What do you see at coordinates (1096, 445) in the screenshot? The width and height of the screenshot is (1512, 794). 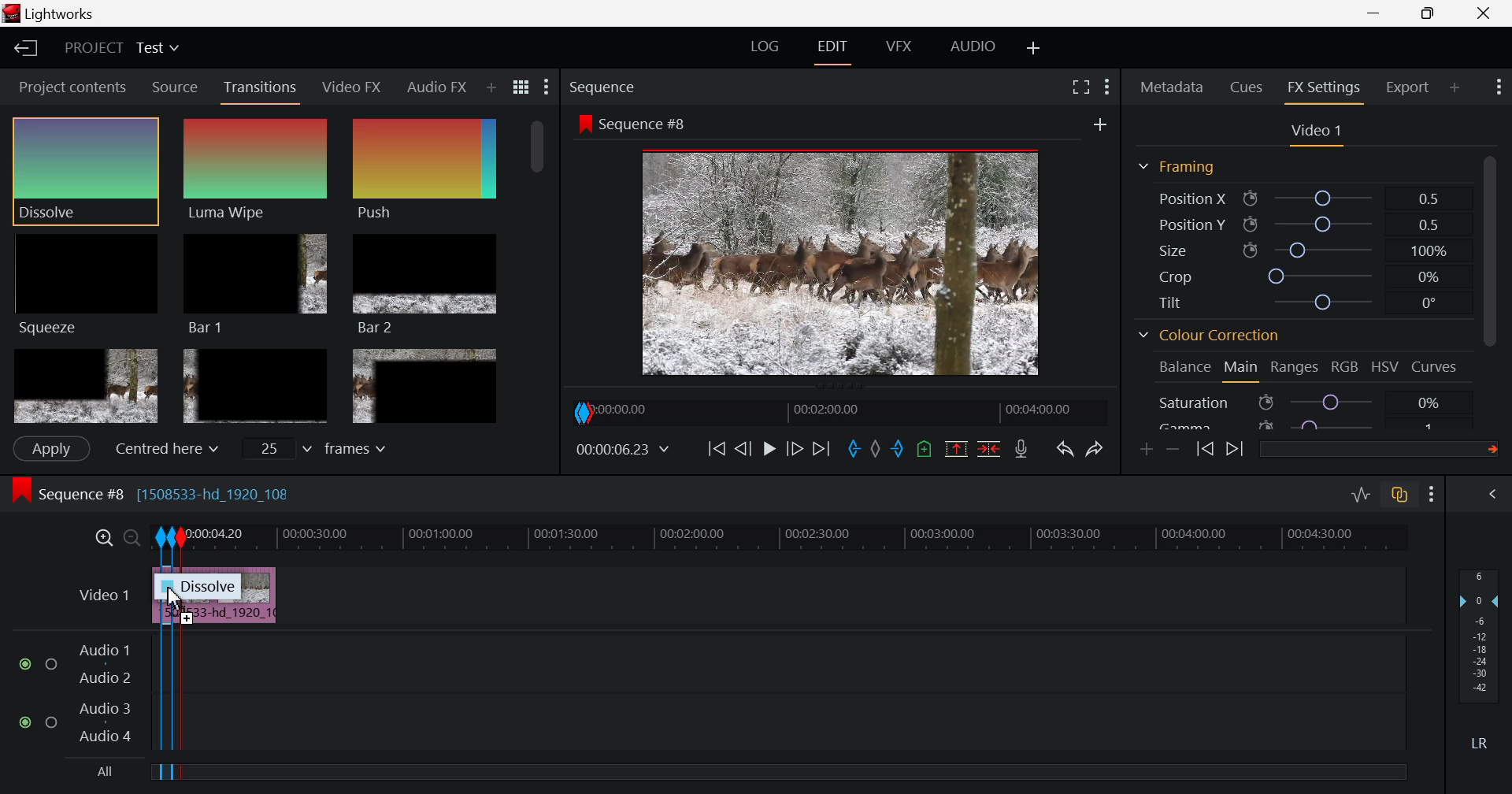 I see `Redo` at bounding box center [1096, 445].